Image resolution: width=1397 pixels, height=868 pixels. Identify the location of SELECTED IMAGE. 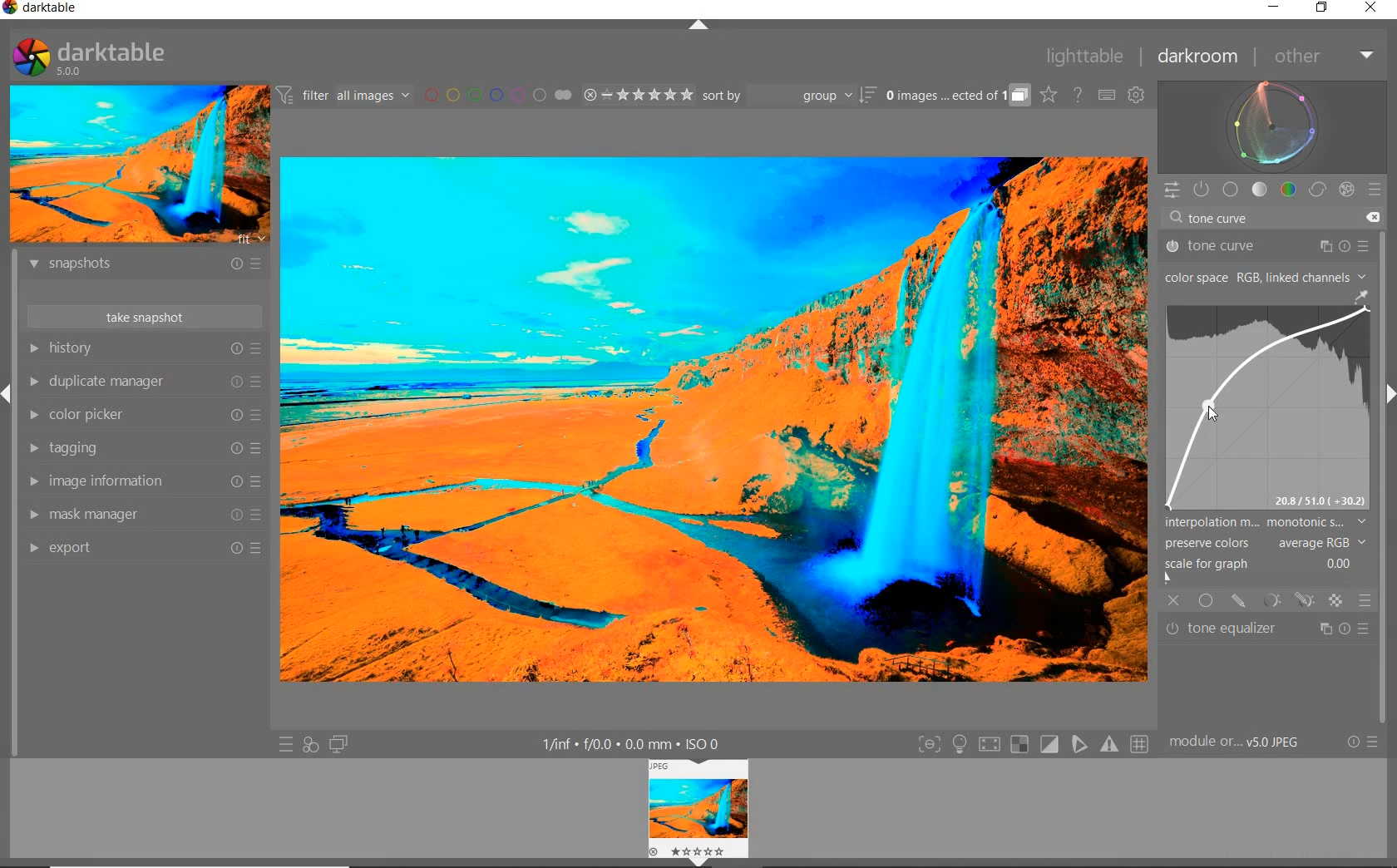
(711, 417).